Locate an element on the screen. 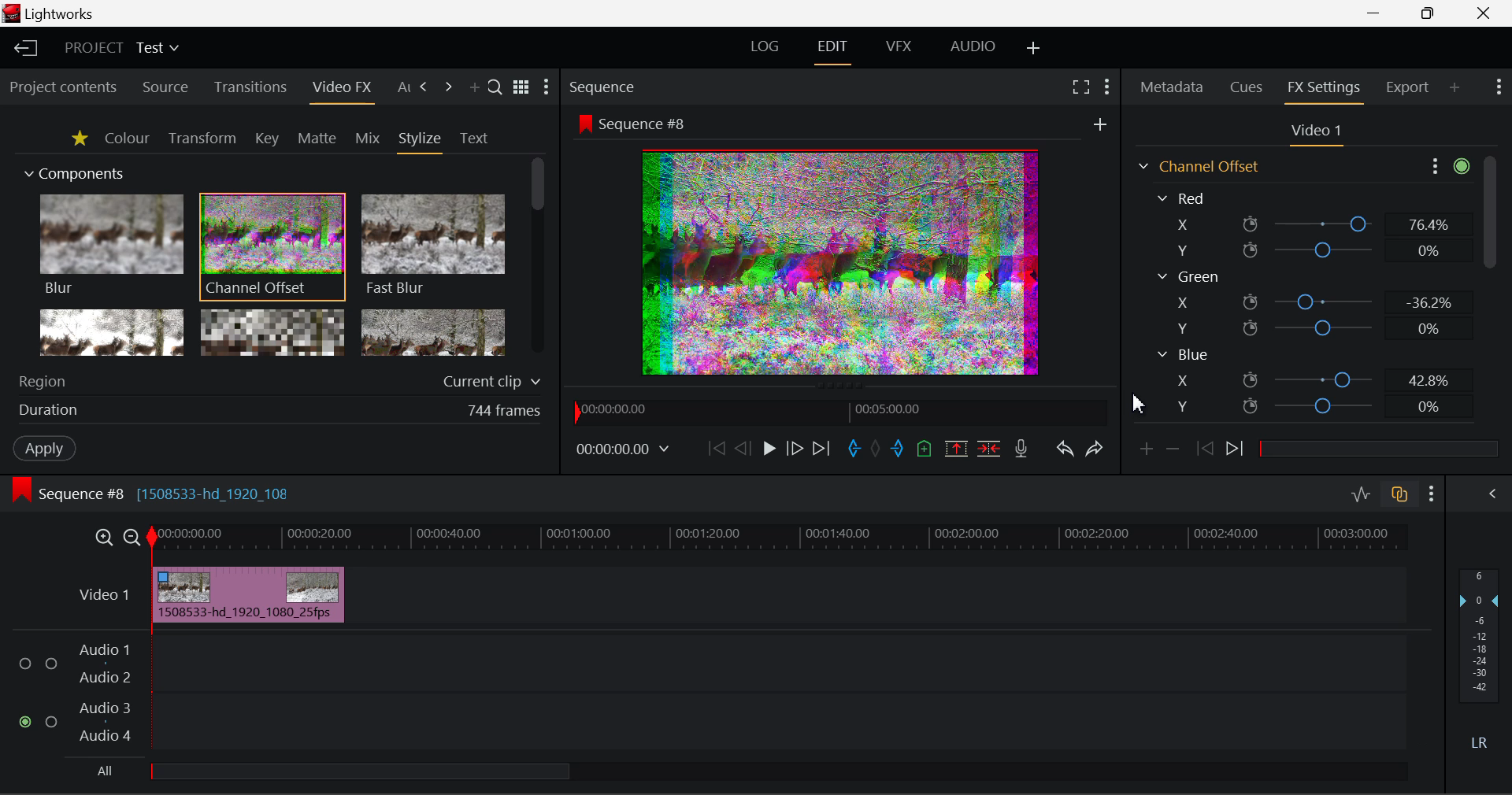  Green X is located at coordinates (1310, 301).